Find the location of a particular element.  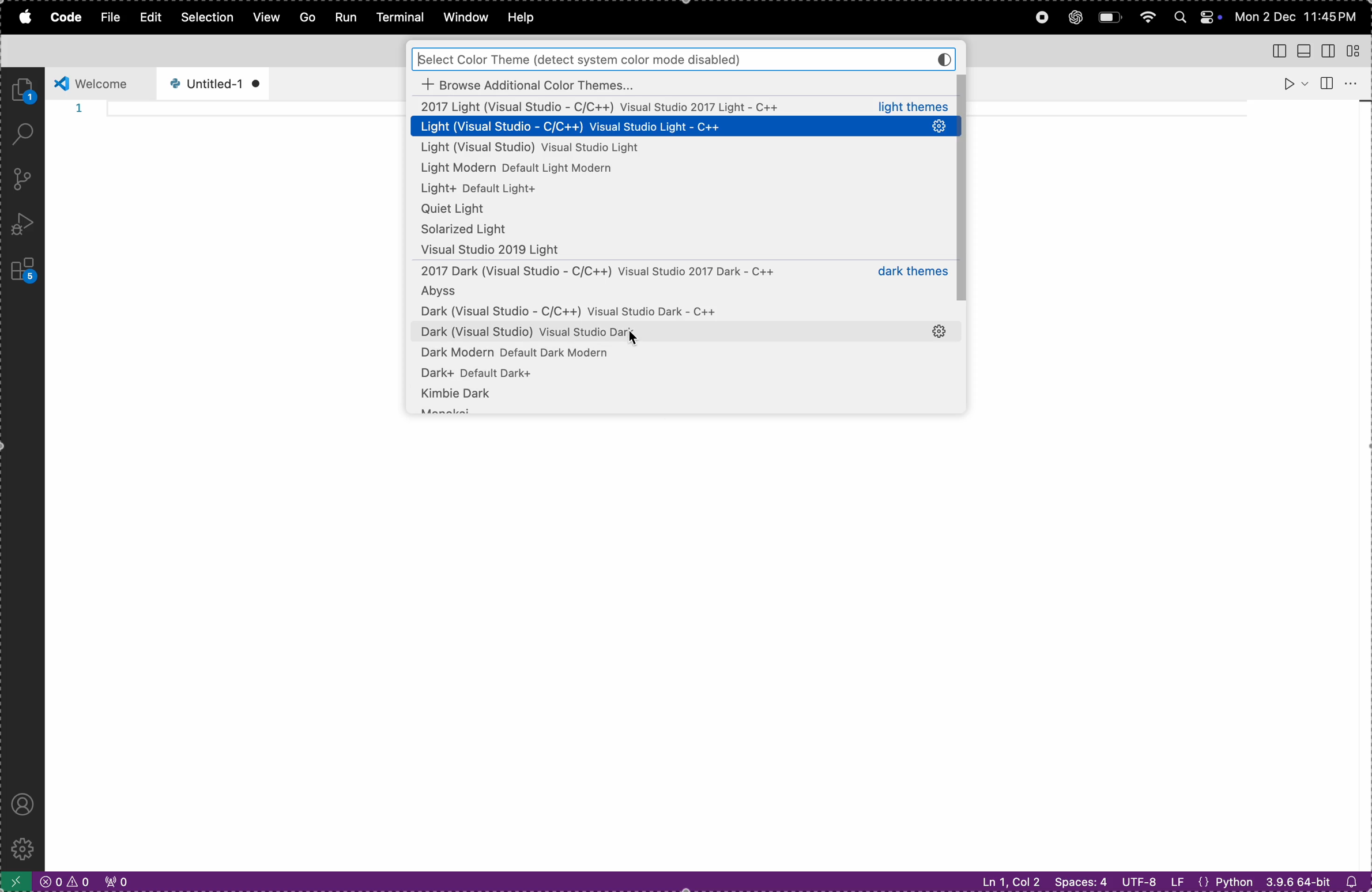

extinsions is located at coordinates (21, 267).